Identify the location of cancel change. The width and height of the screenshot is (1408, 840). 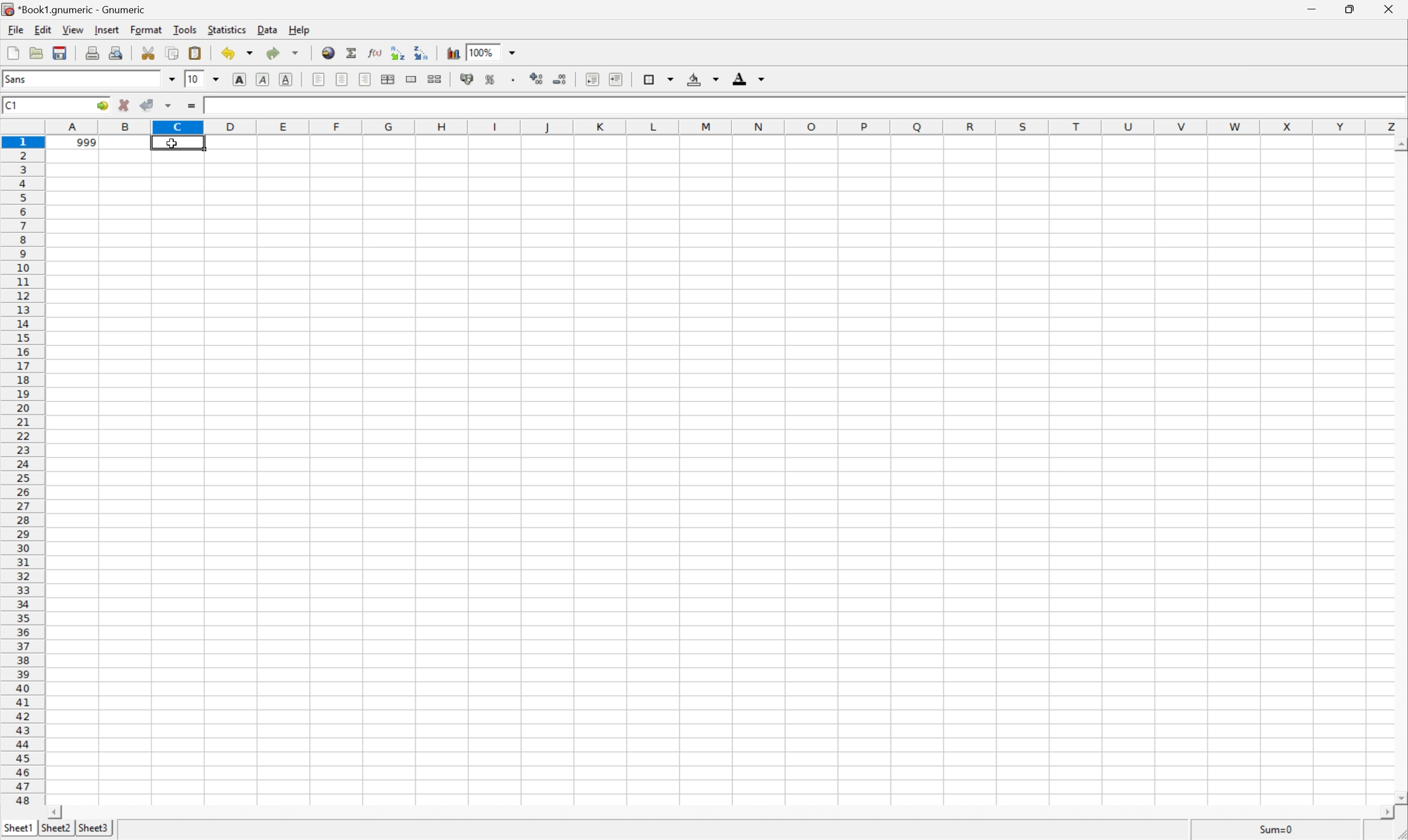
(125, 104).